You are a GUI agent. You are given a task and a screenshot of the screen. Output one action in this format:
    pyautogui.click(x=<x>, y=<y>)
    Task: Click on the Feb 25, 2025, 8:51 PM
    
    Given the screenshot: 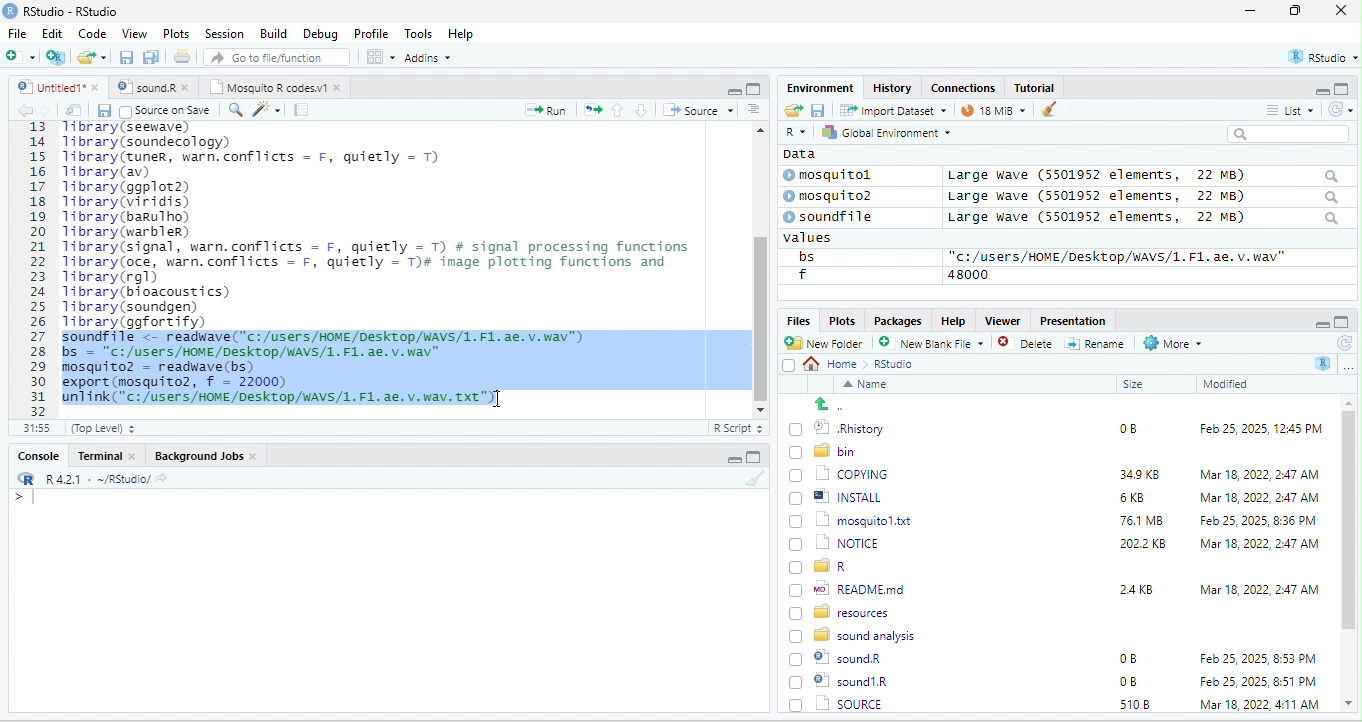 What is the action you would take?
    pyautogui.click(x=1259, y=659)
    